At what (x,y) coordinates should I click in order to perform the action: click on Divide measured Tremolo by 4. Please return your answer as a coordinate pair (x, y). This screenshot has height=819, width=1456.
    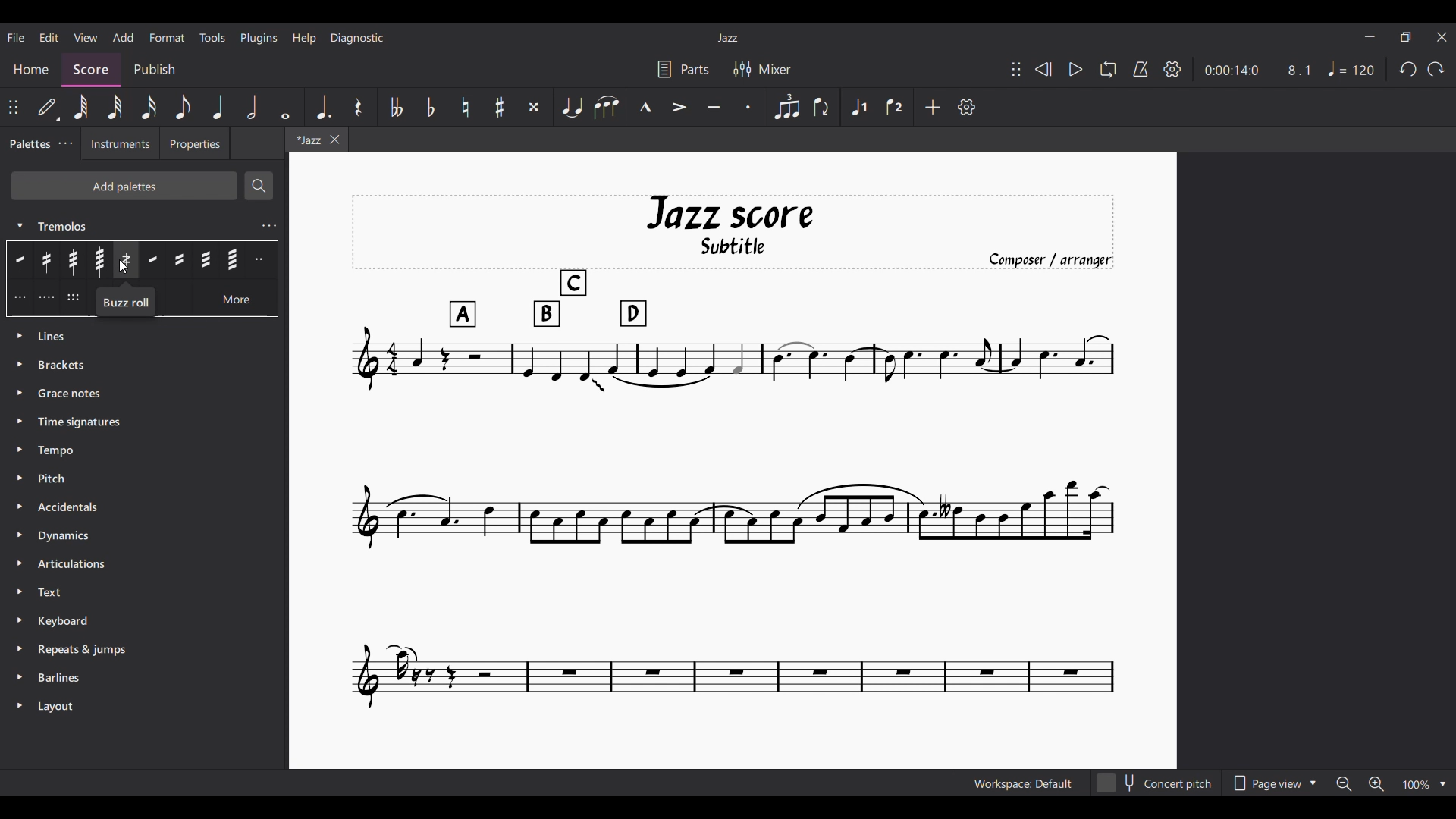
    Looking at the image, I should click on (46, 297).